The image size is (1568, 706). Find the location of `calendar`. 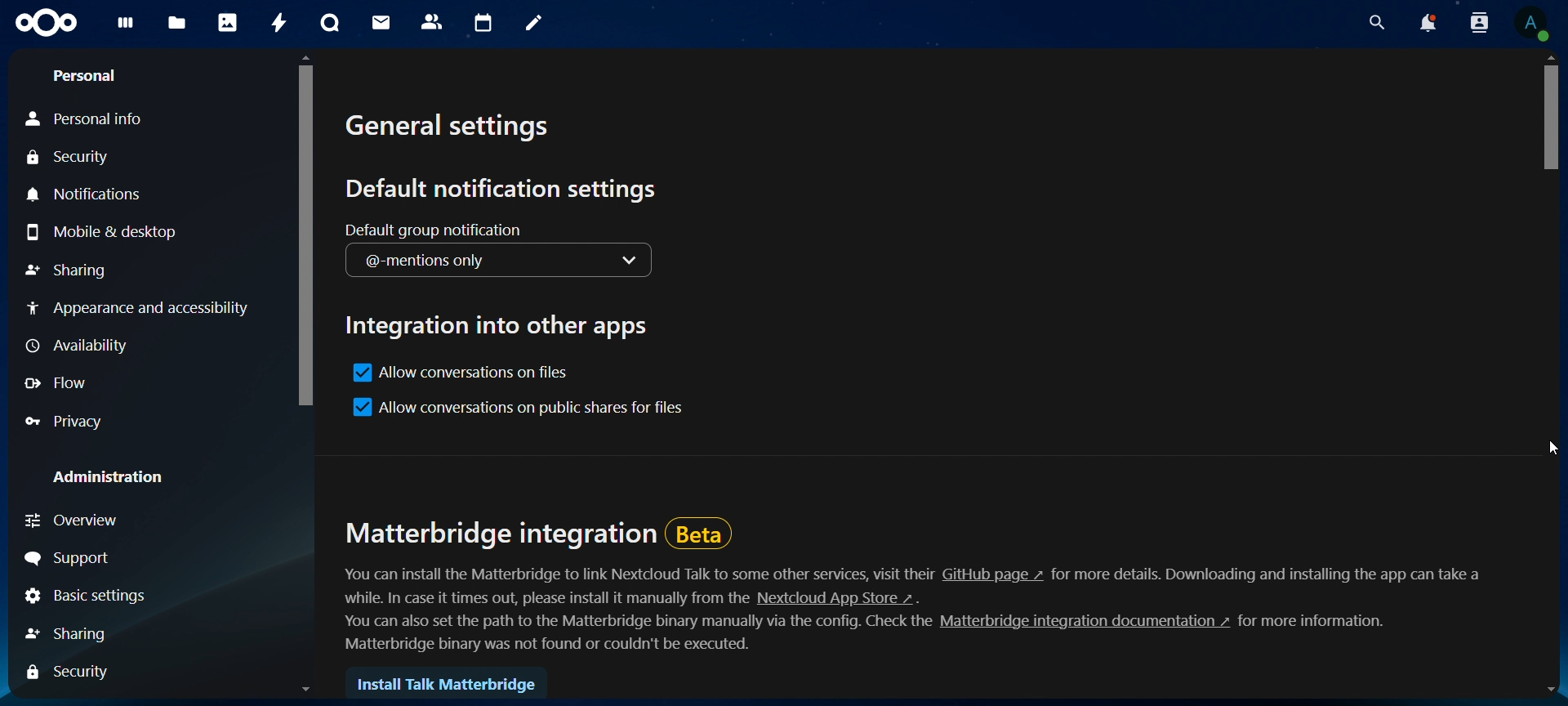

calendar is located at coordinates (484, 23).